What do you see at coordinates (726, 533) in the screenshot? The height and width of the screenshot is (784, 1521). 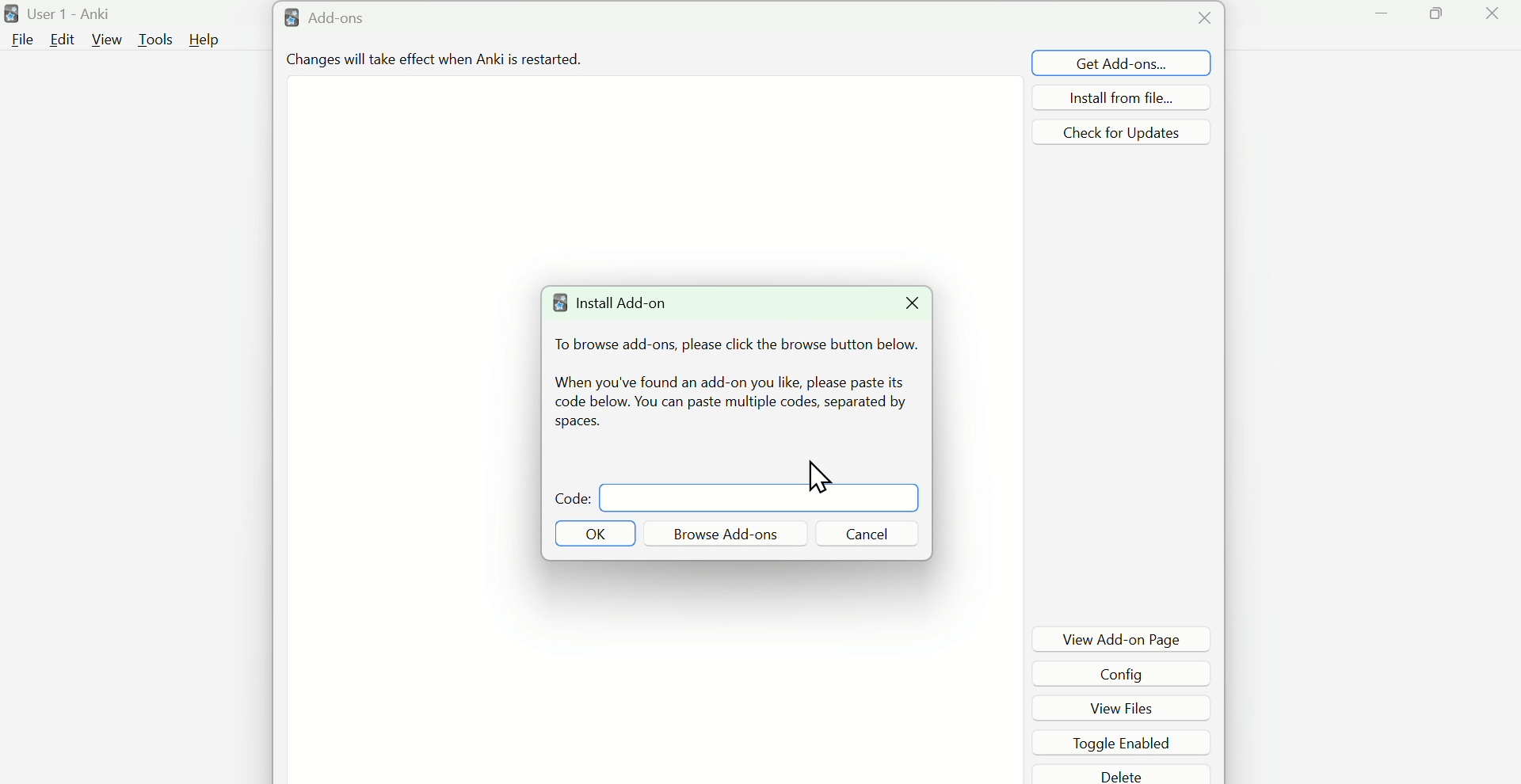 I see `Browse add Ons` at bounding box center [726, 533].